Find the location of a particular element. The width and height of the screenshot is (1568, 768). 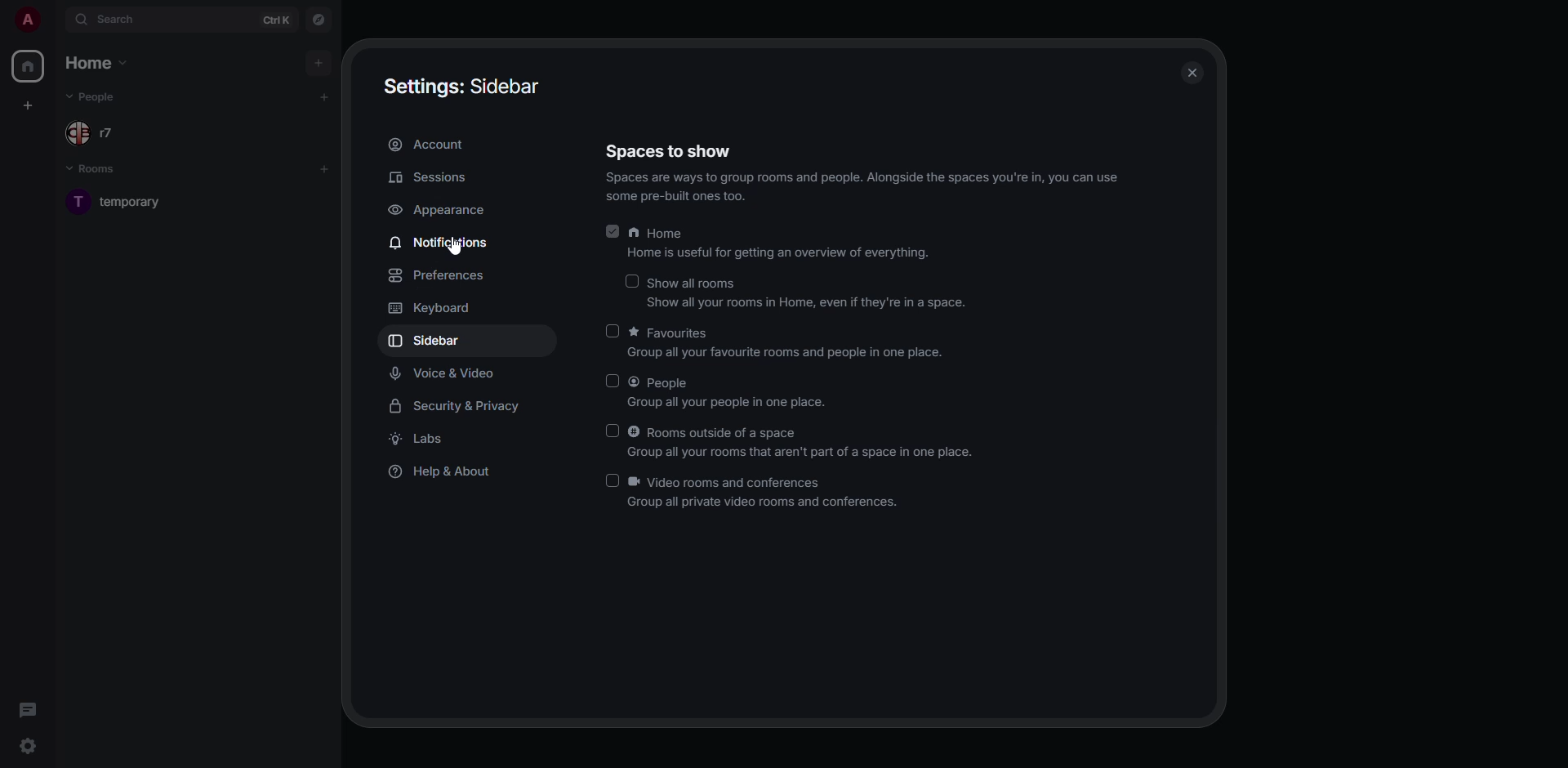

sidebar is located at coordinates (432, 340).